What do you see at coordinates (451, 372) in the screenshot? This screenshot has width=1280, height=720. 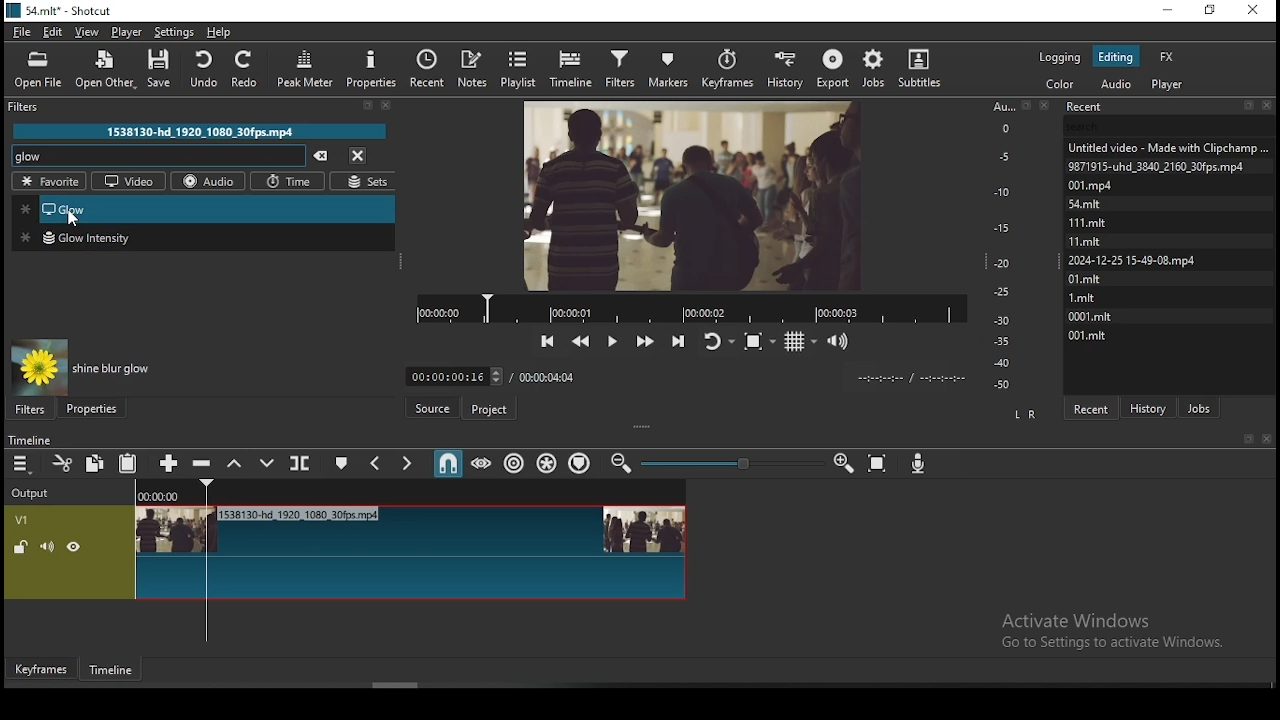 I see `elapsed time` at bounding box center [451, 372].